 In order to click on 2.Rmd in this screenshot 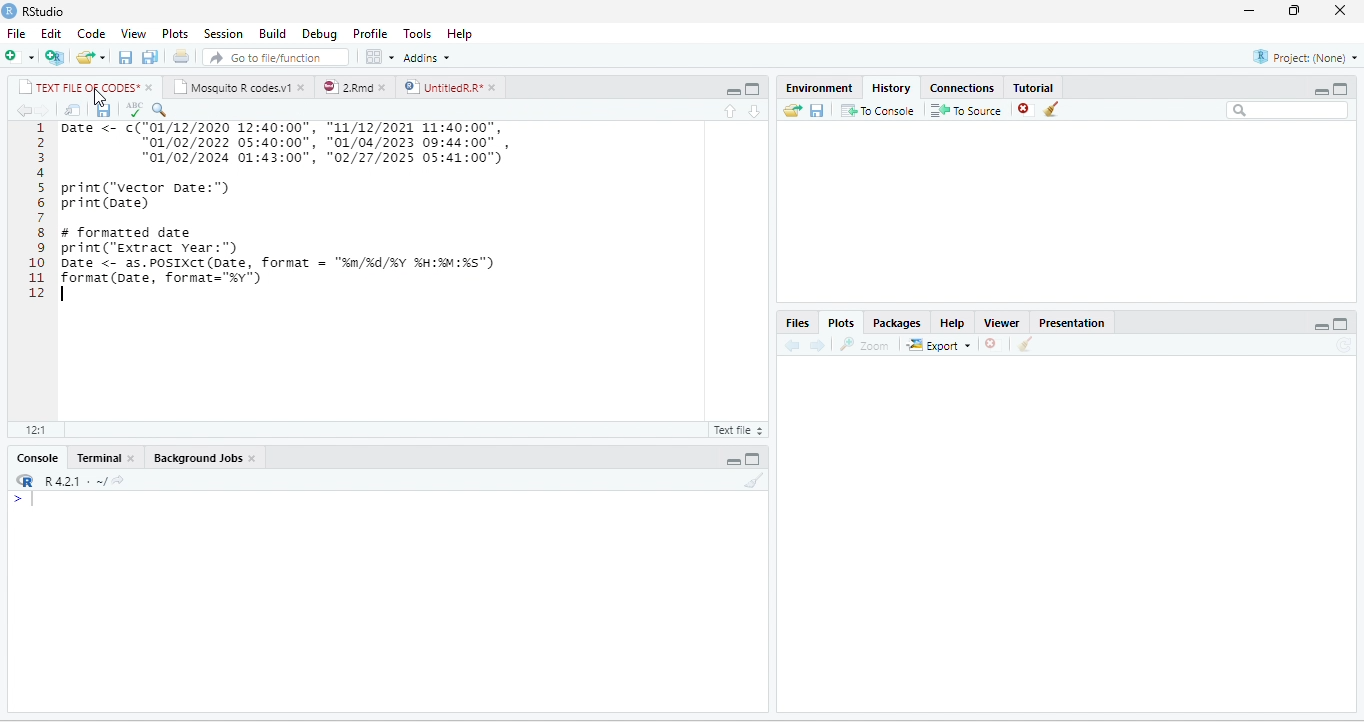, I will do `click(346, 87)`.